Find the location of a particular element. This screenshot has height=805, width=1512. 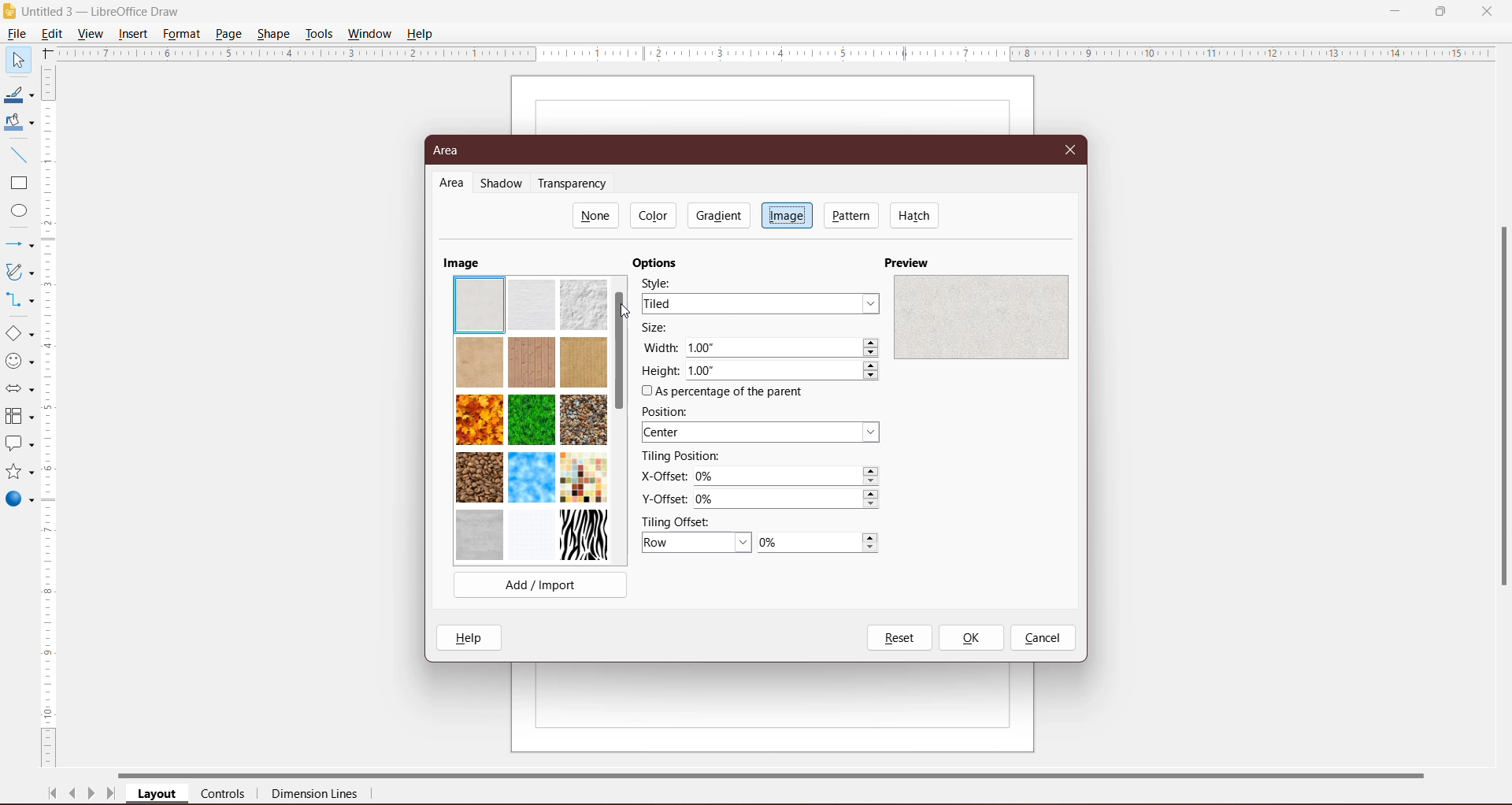

 is located at coordinates (528, 421).